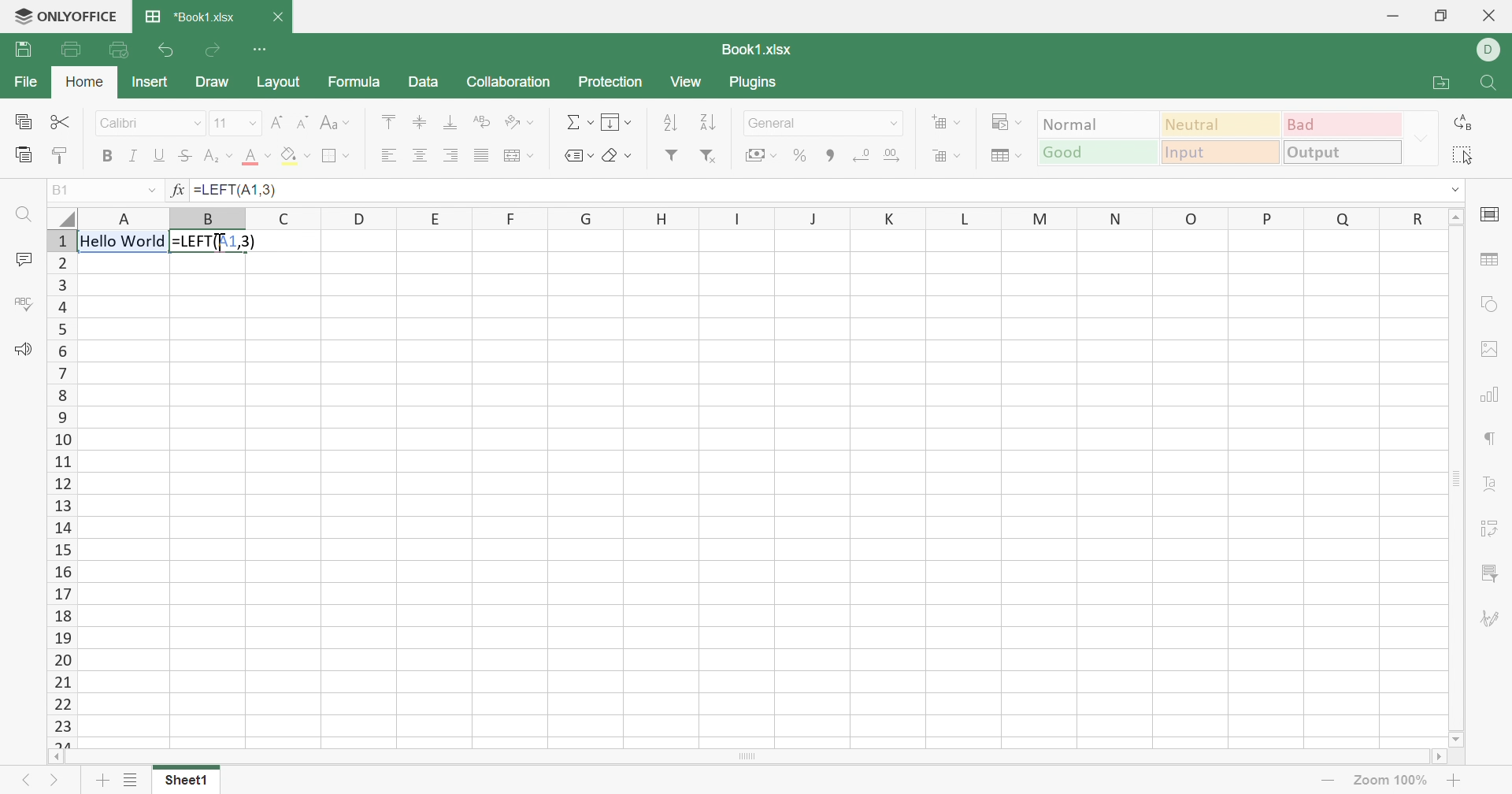  I want to click on Find, so click(1493, 84).